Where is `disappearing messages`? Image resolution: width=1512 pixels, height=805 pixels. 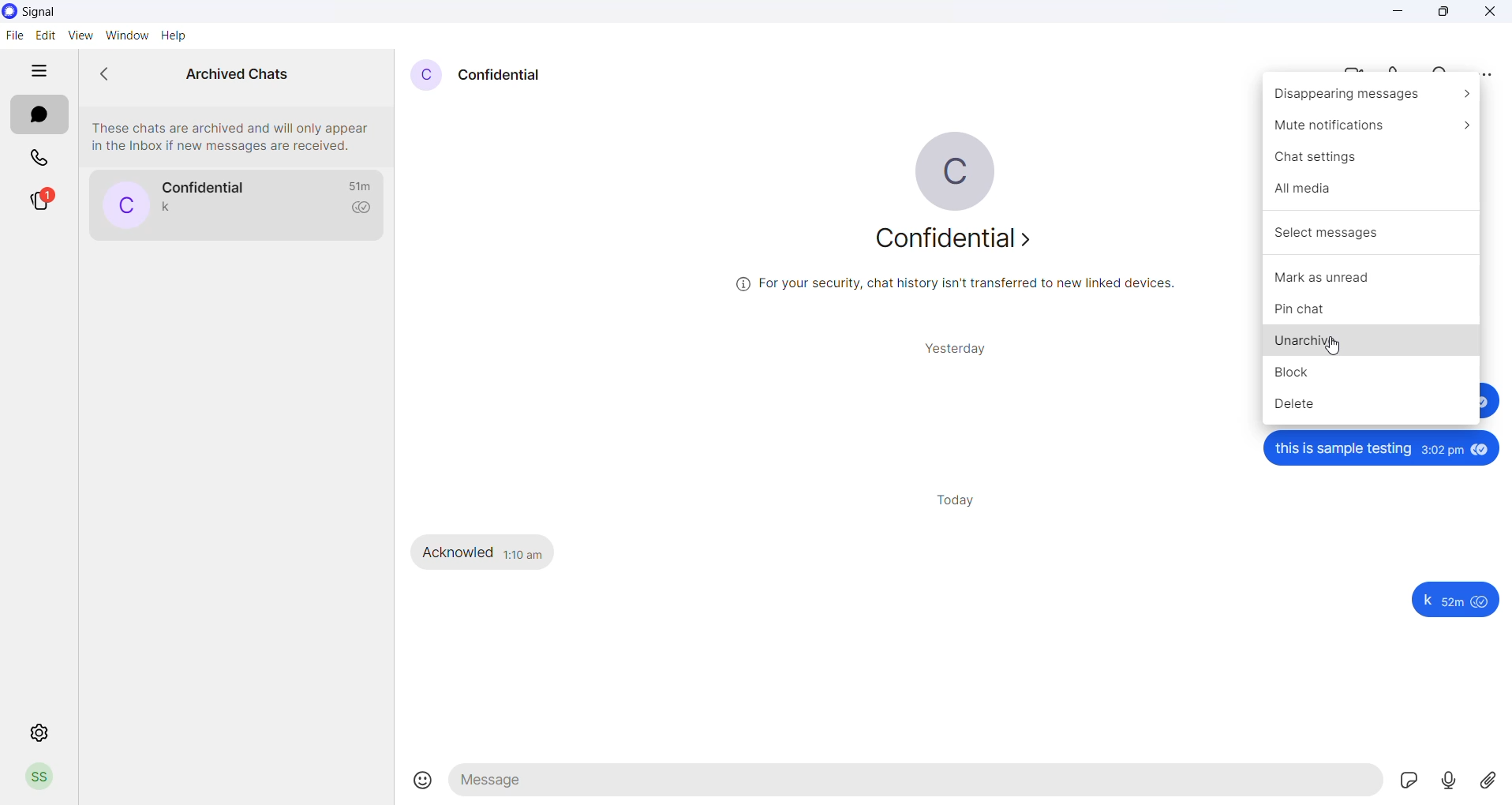
disappearing messages is located at coordinates (1372, 97).